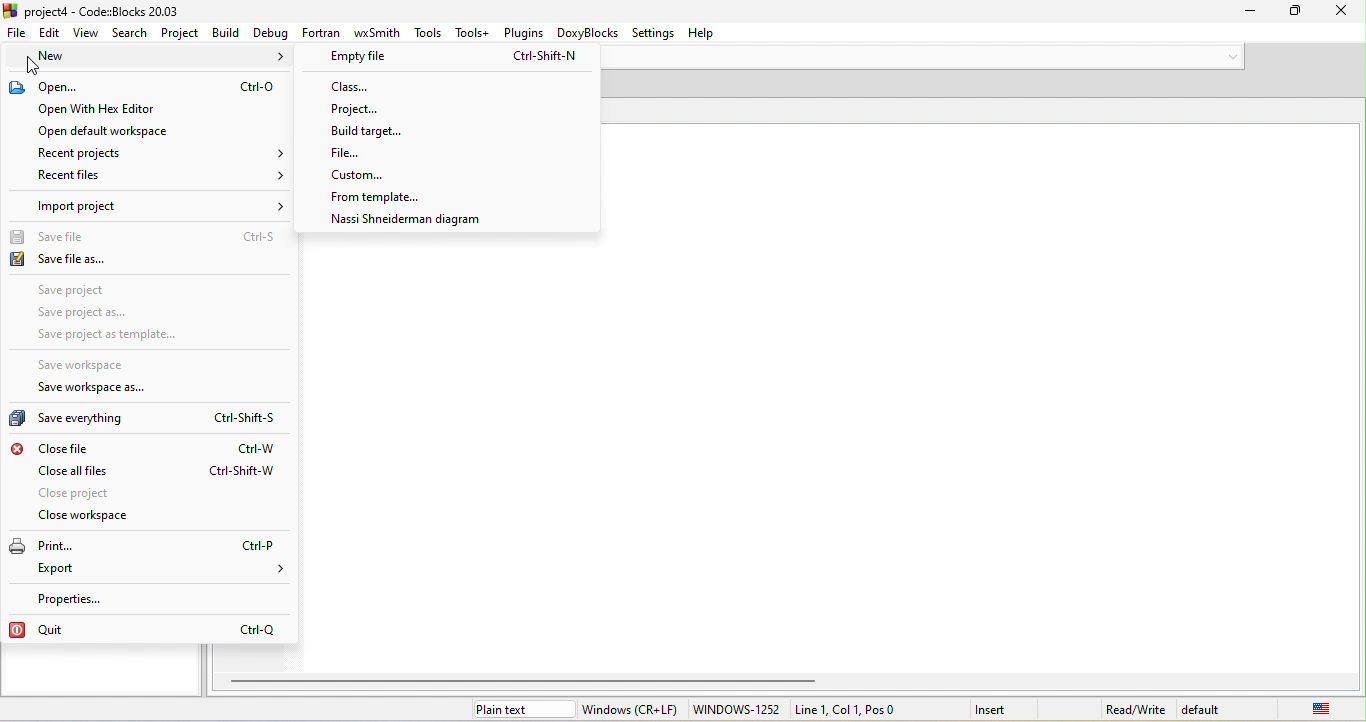 This screenshot has height=722, width=1366. Describe the element at coordinates (471, 32) in the screenshot. I see `tools+` at that location.